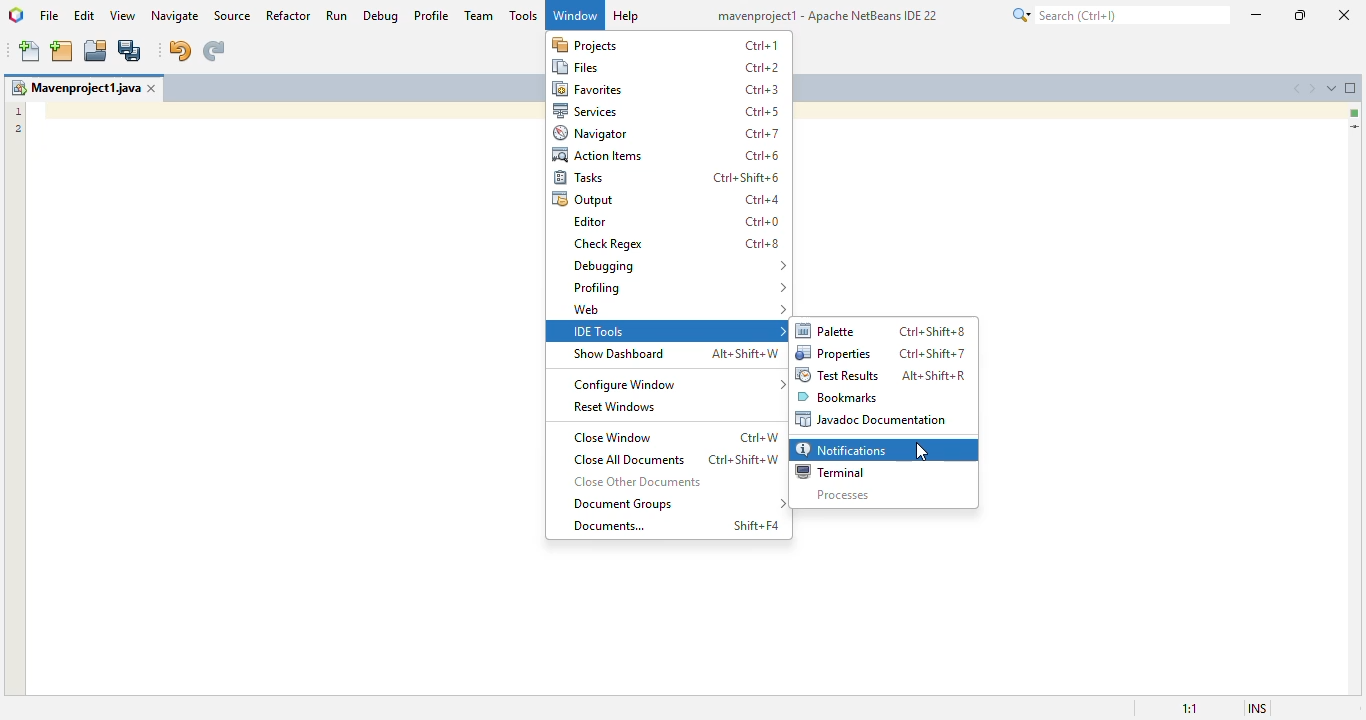 The width and height of the screenshot is (1366, 720). I want to click on current line, so click(1354, 127).